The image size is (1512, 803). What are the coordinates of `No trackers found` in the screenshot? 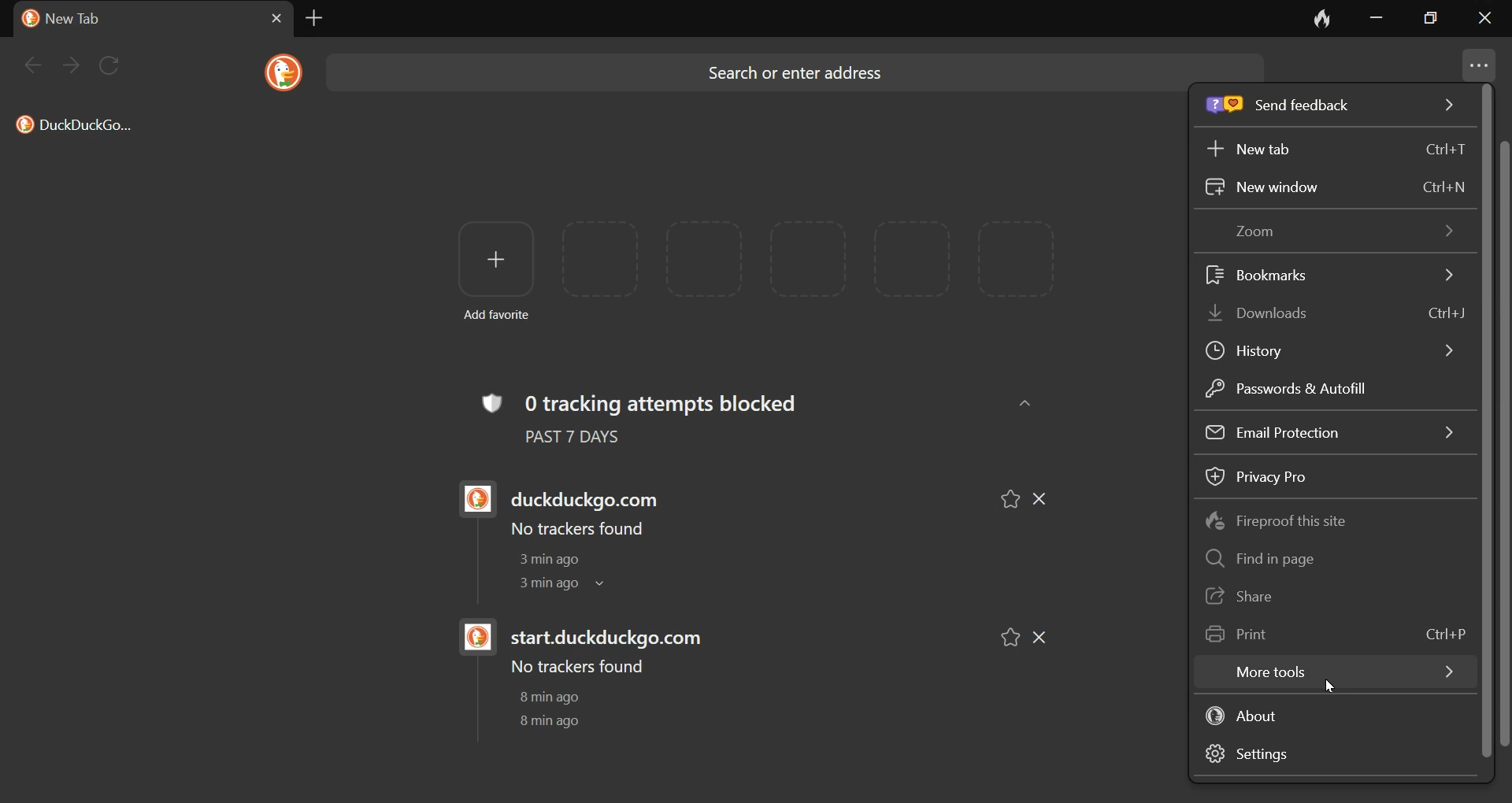 It's located at (575, 529).